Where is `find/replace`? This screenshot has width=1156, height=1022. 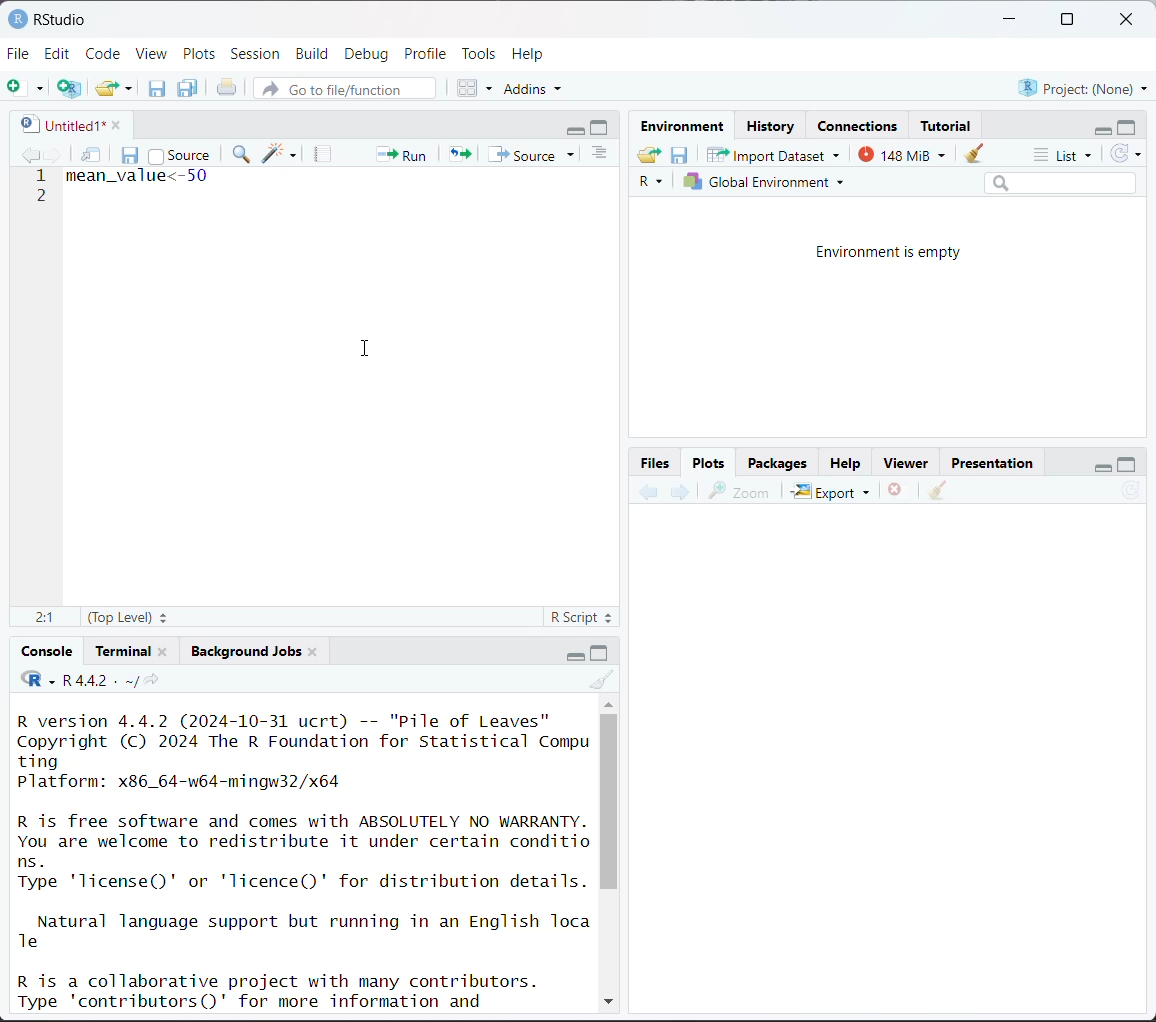
find/replace is located at coordinates (243, 156).